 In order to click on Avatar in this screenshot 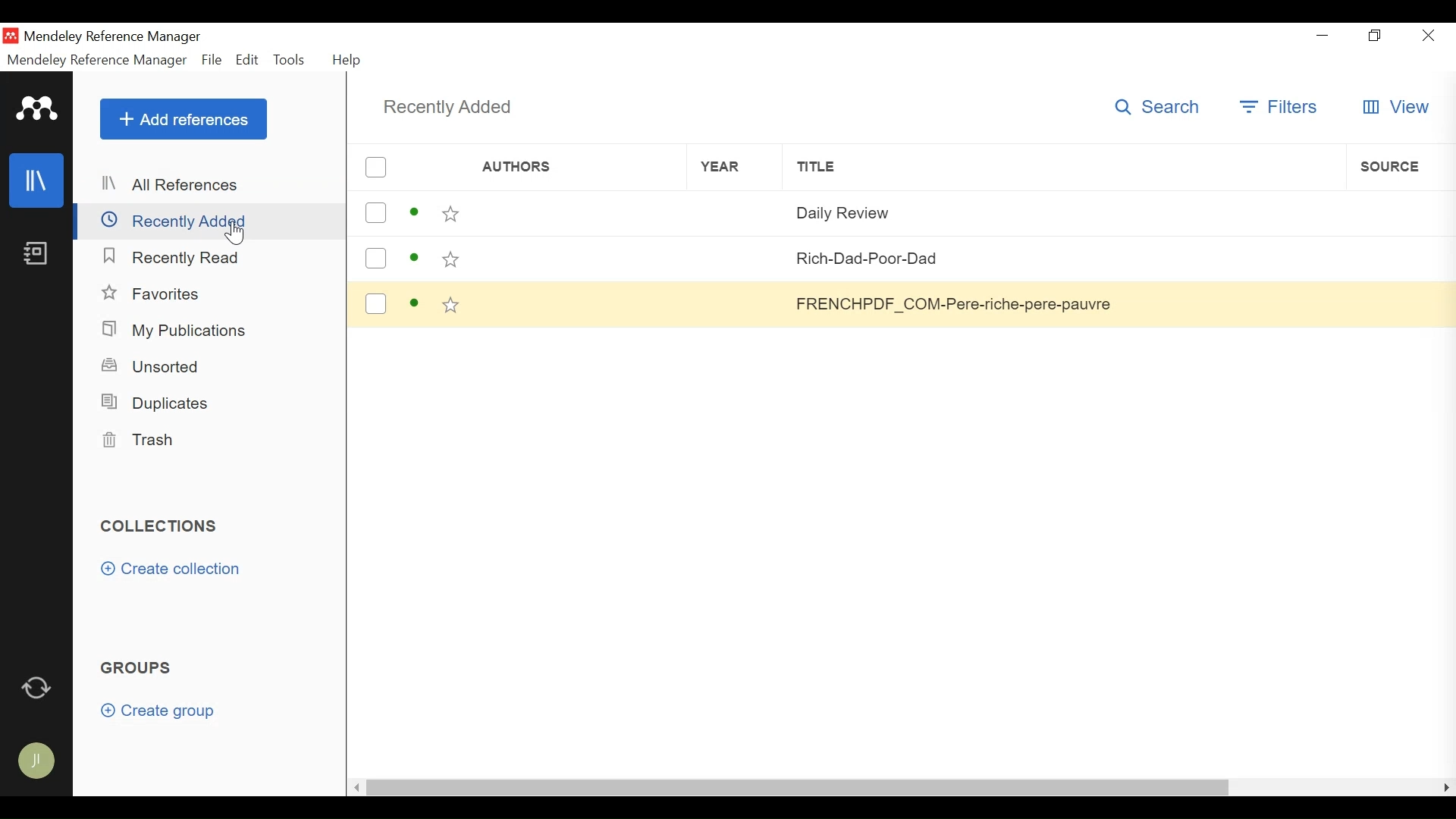, I will do `click(39, 761)`.